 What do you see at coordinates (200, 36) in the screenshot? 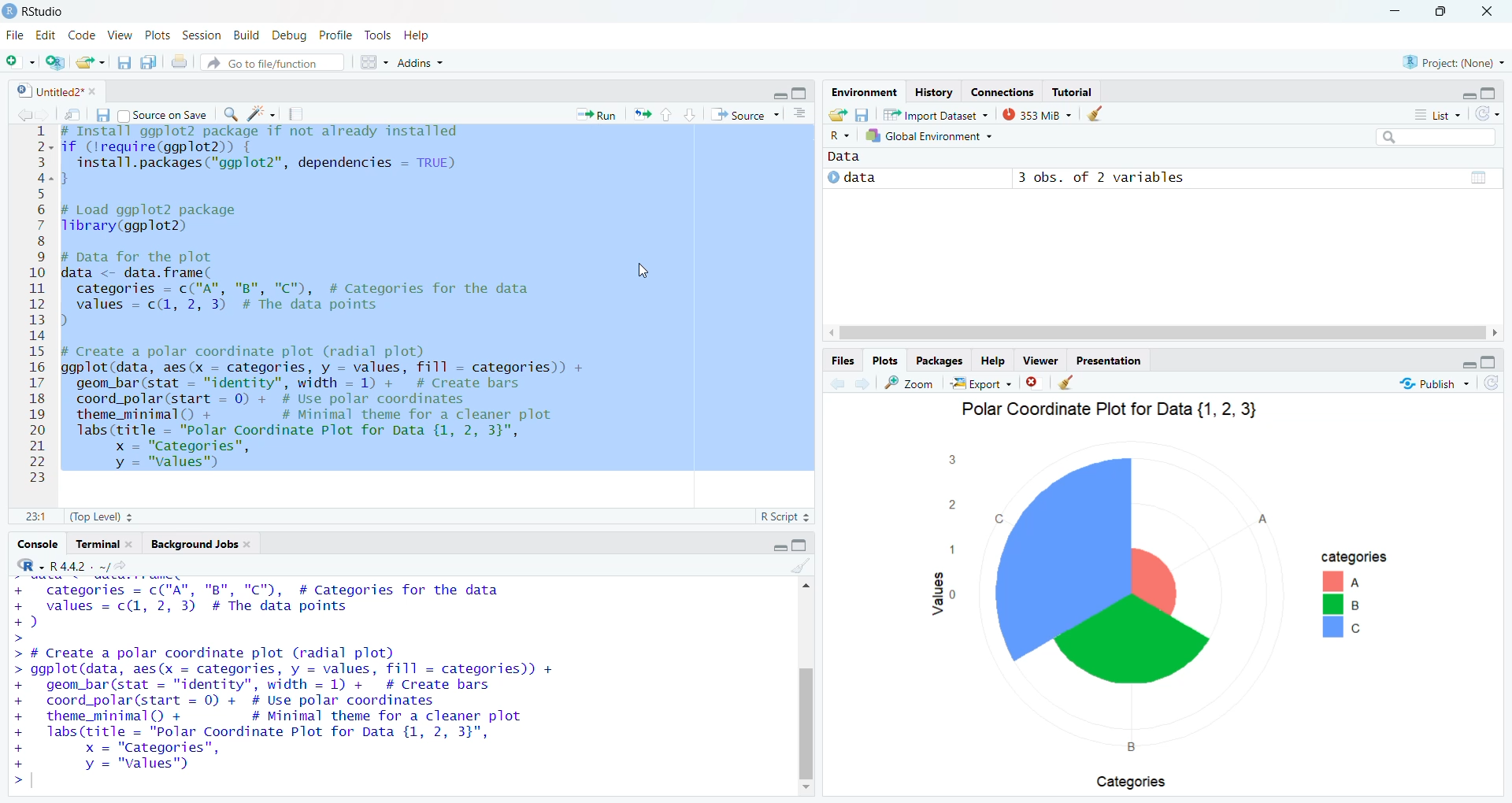
I see `Session` at bounding box center [200, 36].